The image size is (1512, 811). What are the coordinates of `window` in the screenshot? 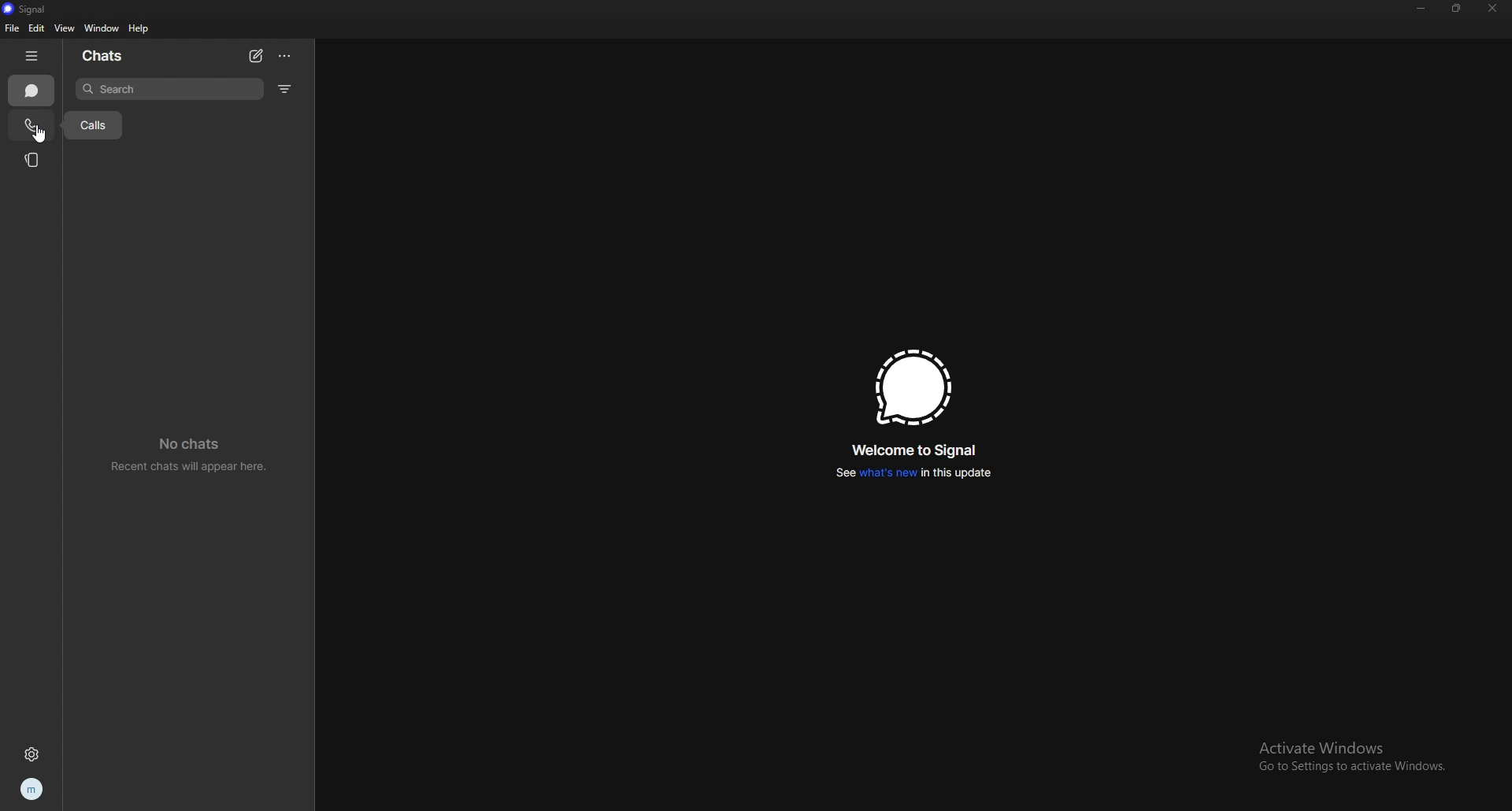 It's located at (102, 28).